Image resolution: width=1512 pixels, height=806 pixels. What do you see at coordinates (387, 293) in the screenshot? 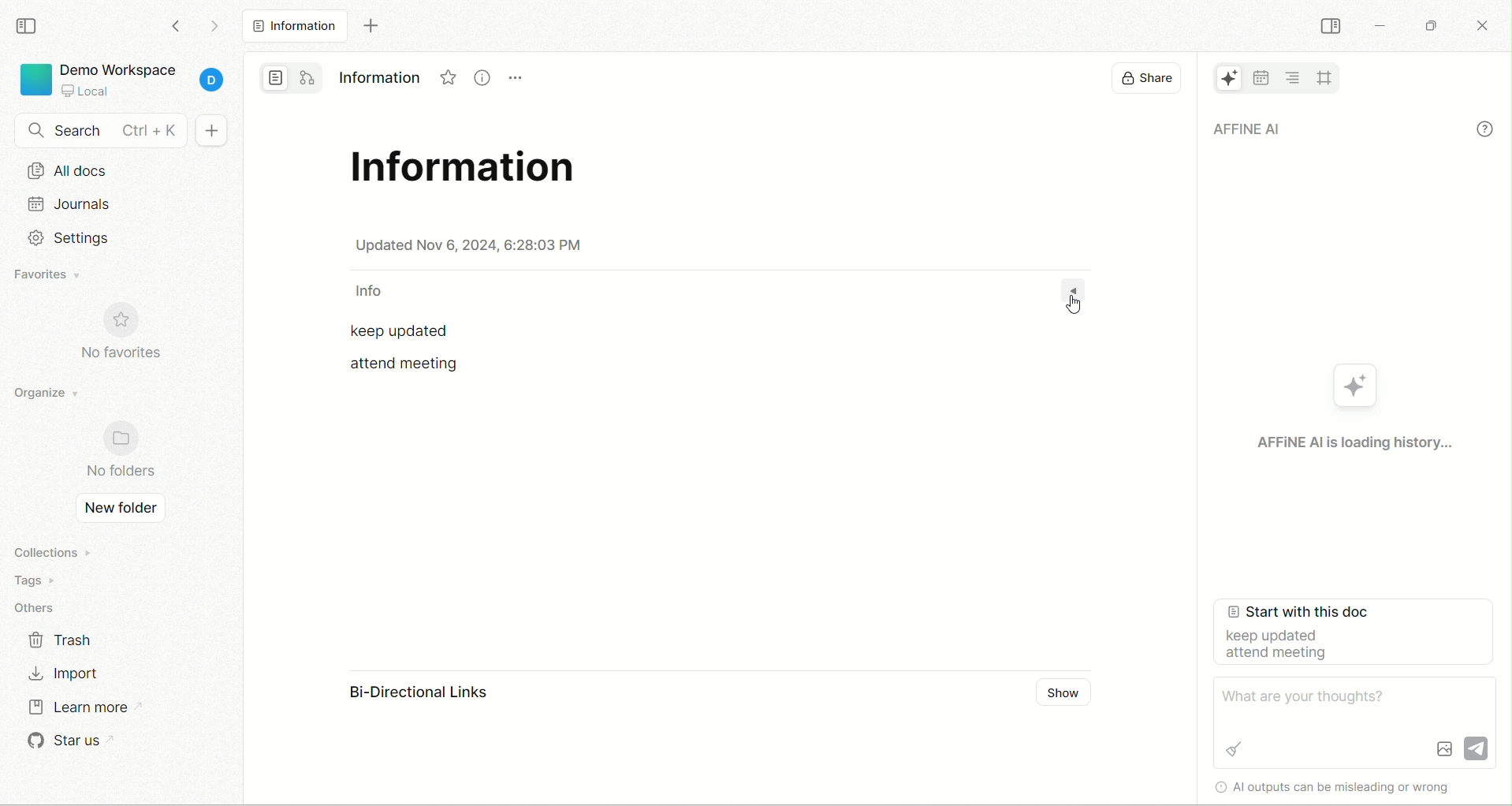
I see `info` at bounding box center [387, 293].